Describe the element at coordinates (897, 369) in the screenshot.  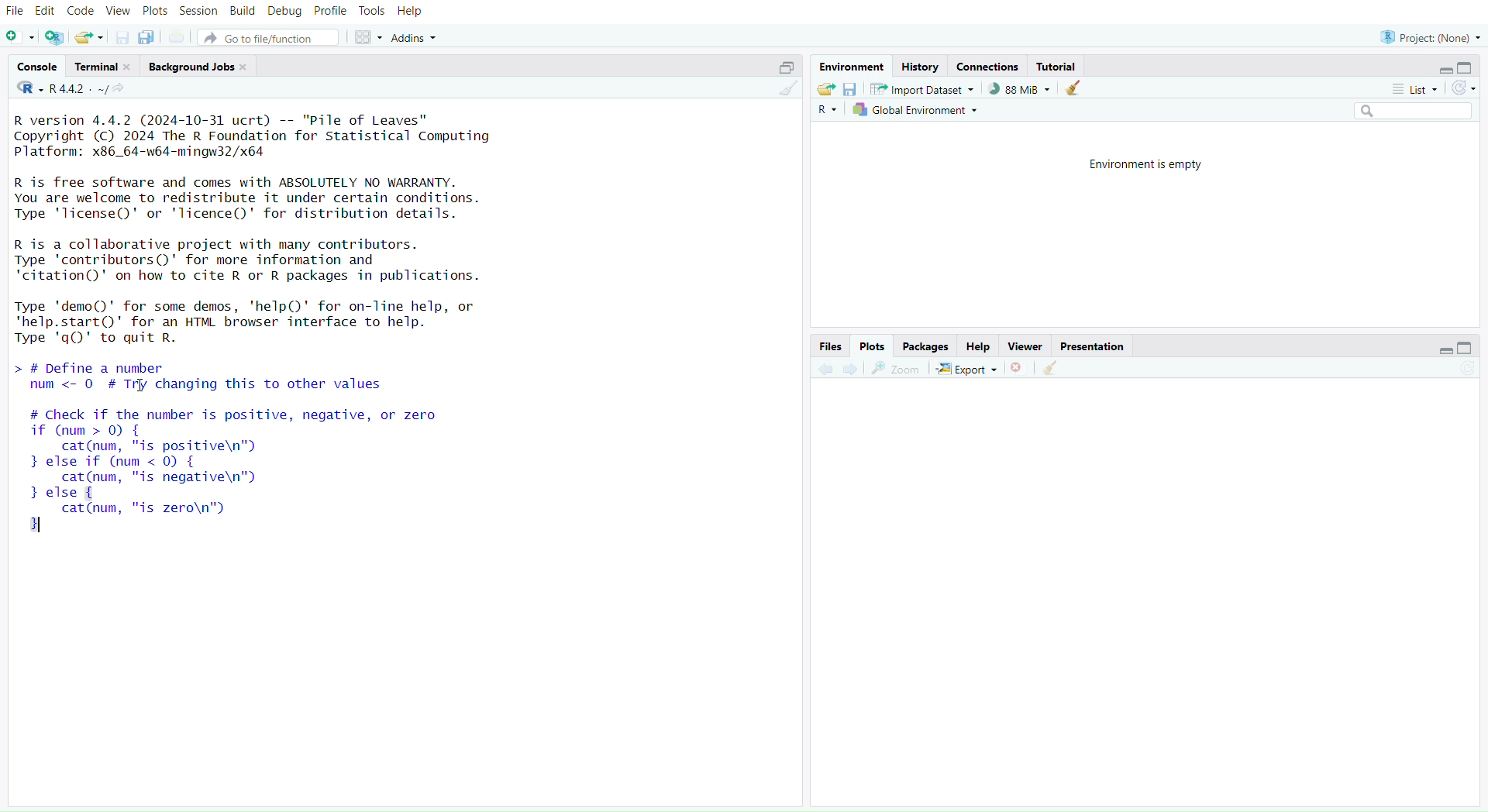
I see `zoom` at that location.